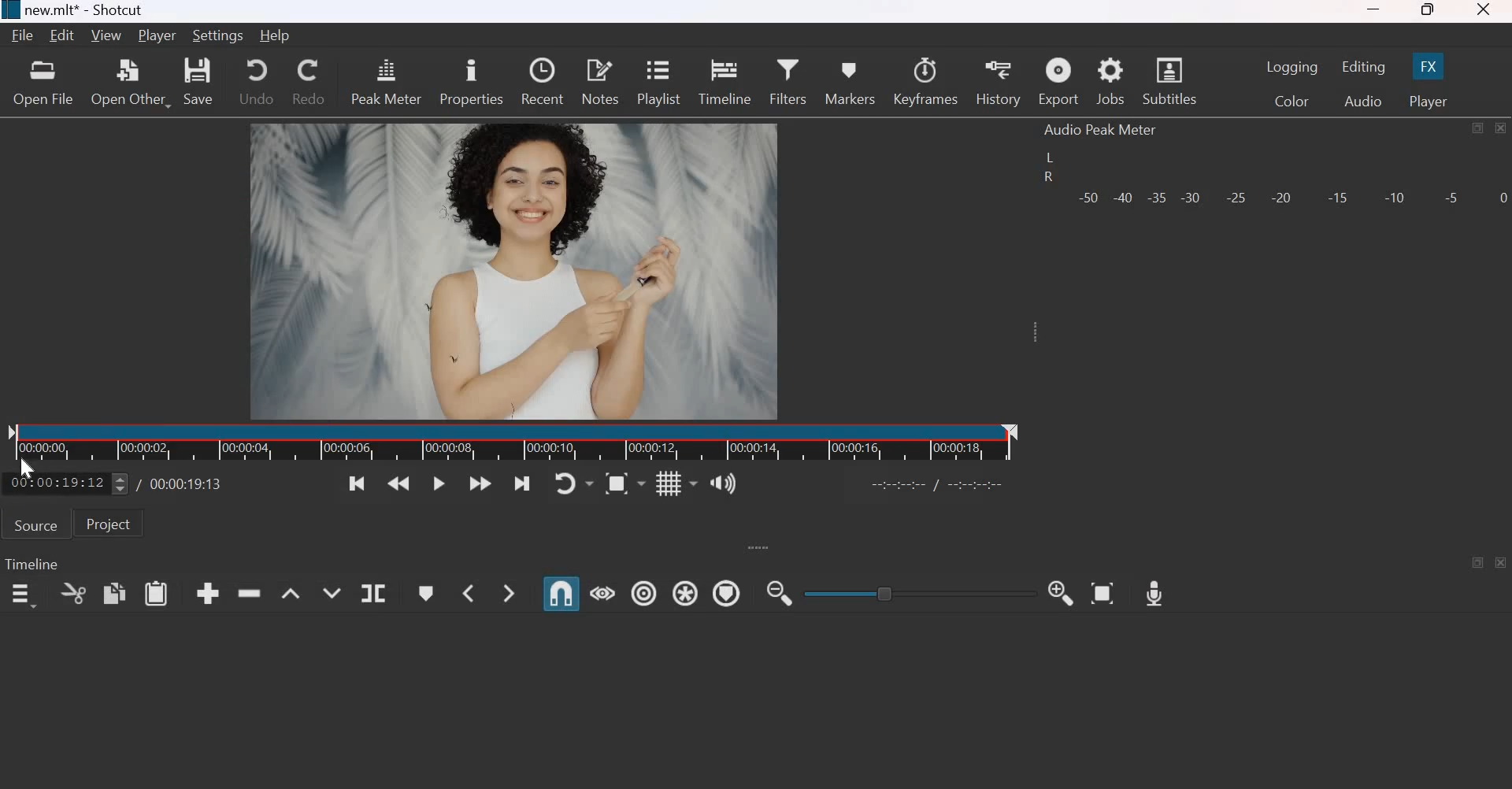  What do you see at coordinates (37, 525) in the screenshot?
I see `Source` at bounding box center [37, 525].